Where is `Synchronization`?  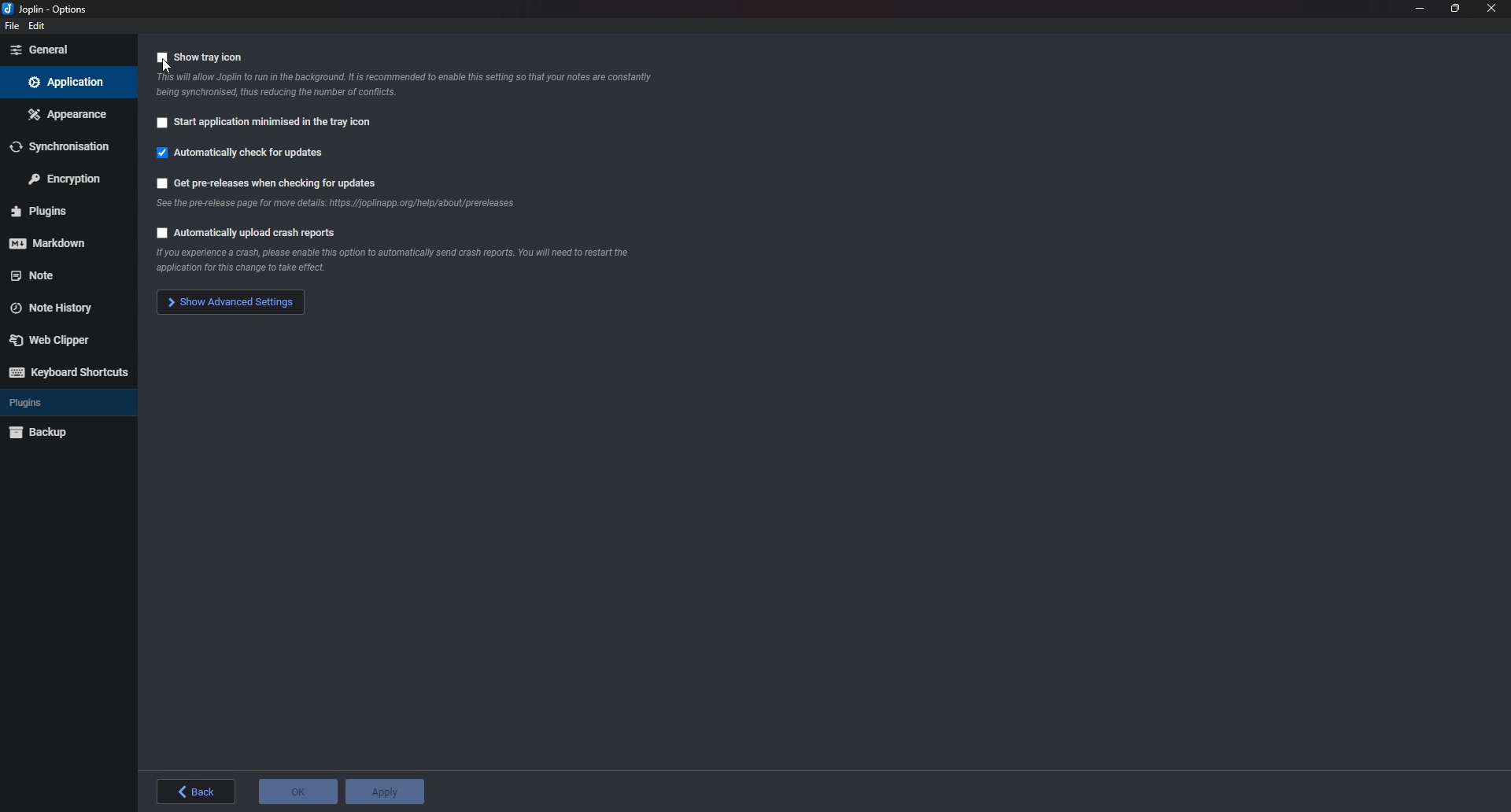 Synchronization is located at coordinates (67, 144).